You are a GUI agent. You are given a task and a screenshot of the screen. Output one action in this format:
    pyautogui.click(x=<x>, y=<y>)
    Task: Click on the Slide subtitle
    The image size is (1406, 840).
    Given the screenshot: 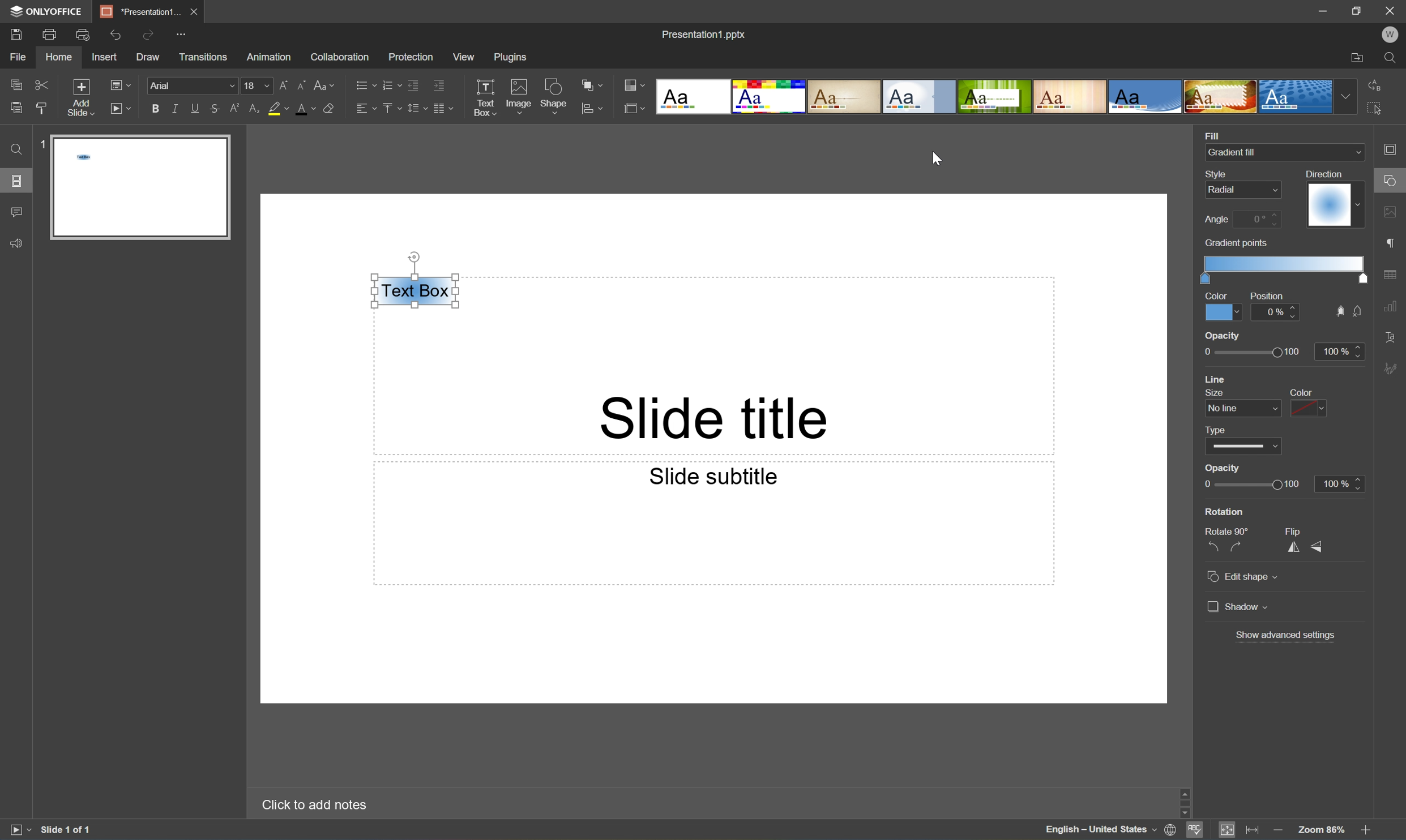 What is the action you would take?
    pyautogui.click(x=718, y=478)
    